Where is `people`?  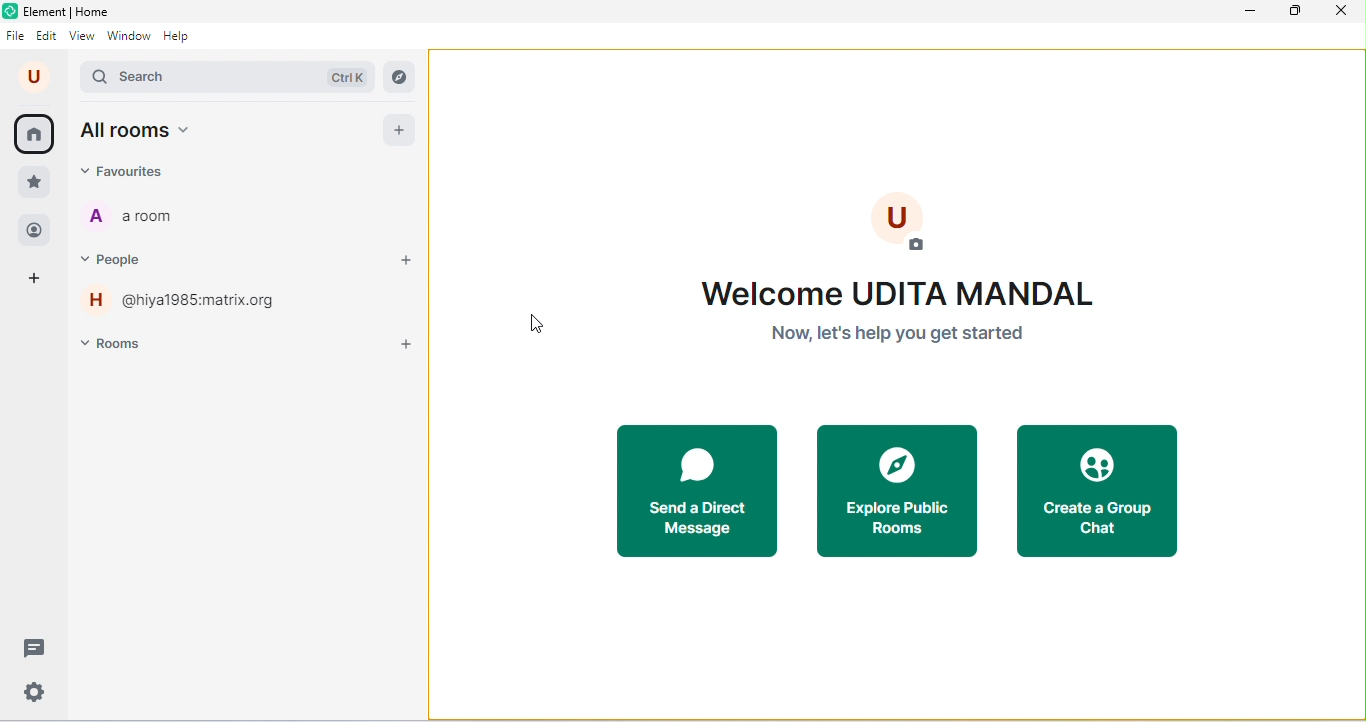
people is located at coordinates (33, 231).